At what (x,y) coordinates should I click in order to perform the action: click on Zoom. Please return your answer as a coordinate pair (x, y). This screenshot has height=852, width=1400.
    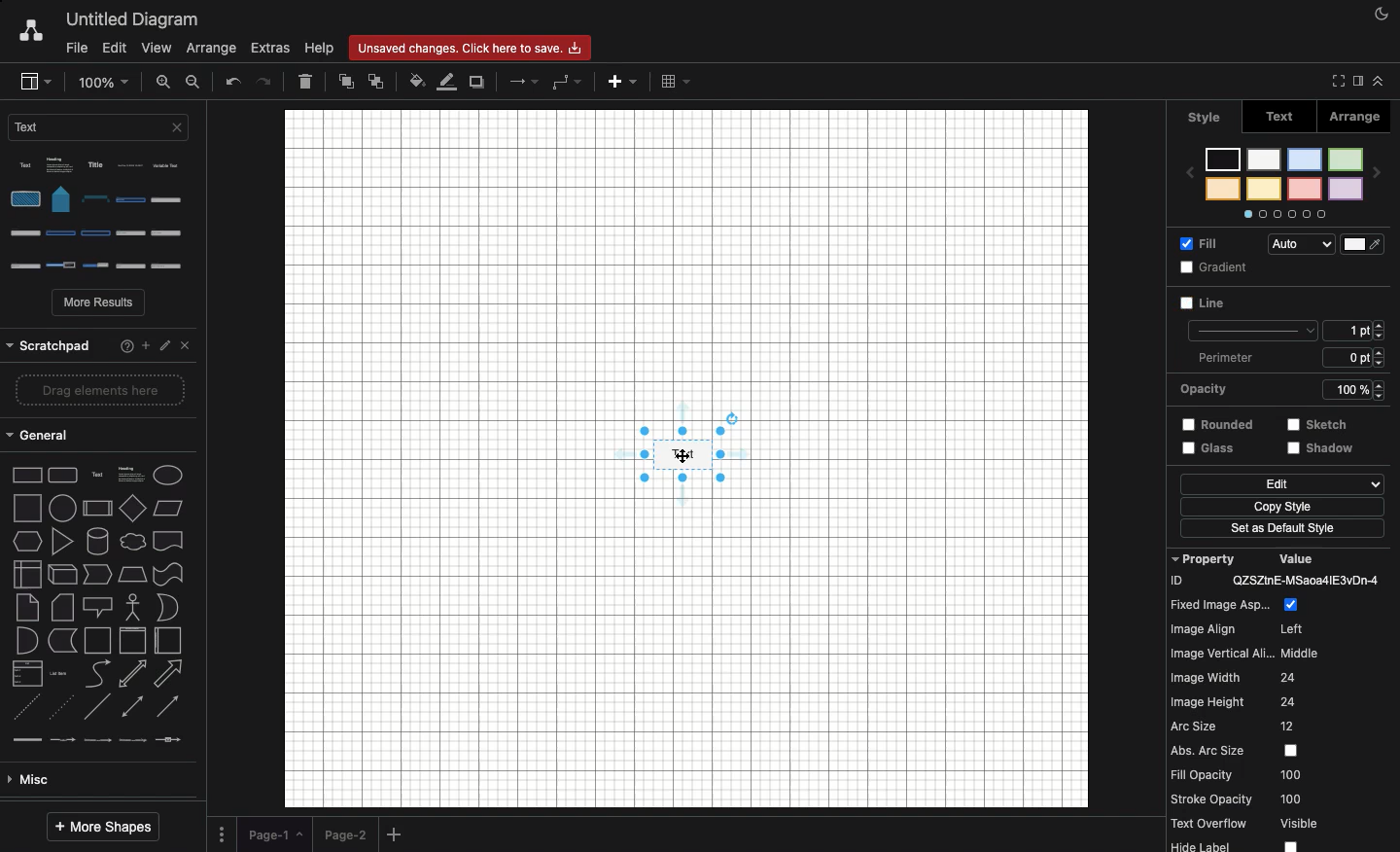
    Looking at the image, I should click on (105, 81).